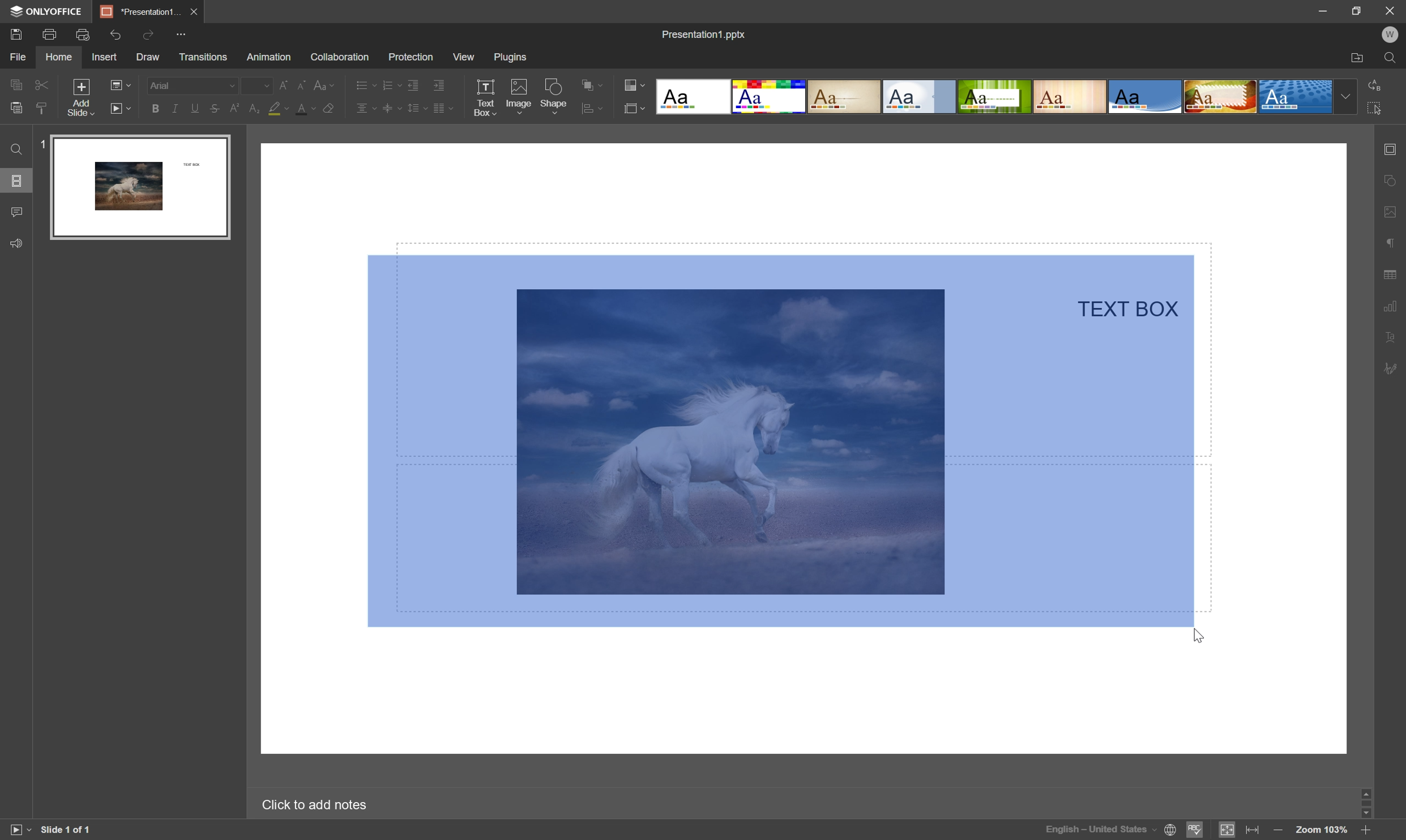 The height and width of the screenshot is (840, 1406). I want to click on subscript, so click(254, 108).